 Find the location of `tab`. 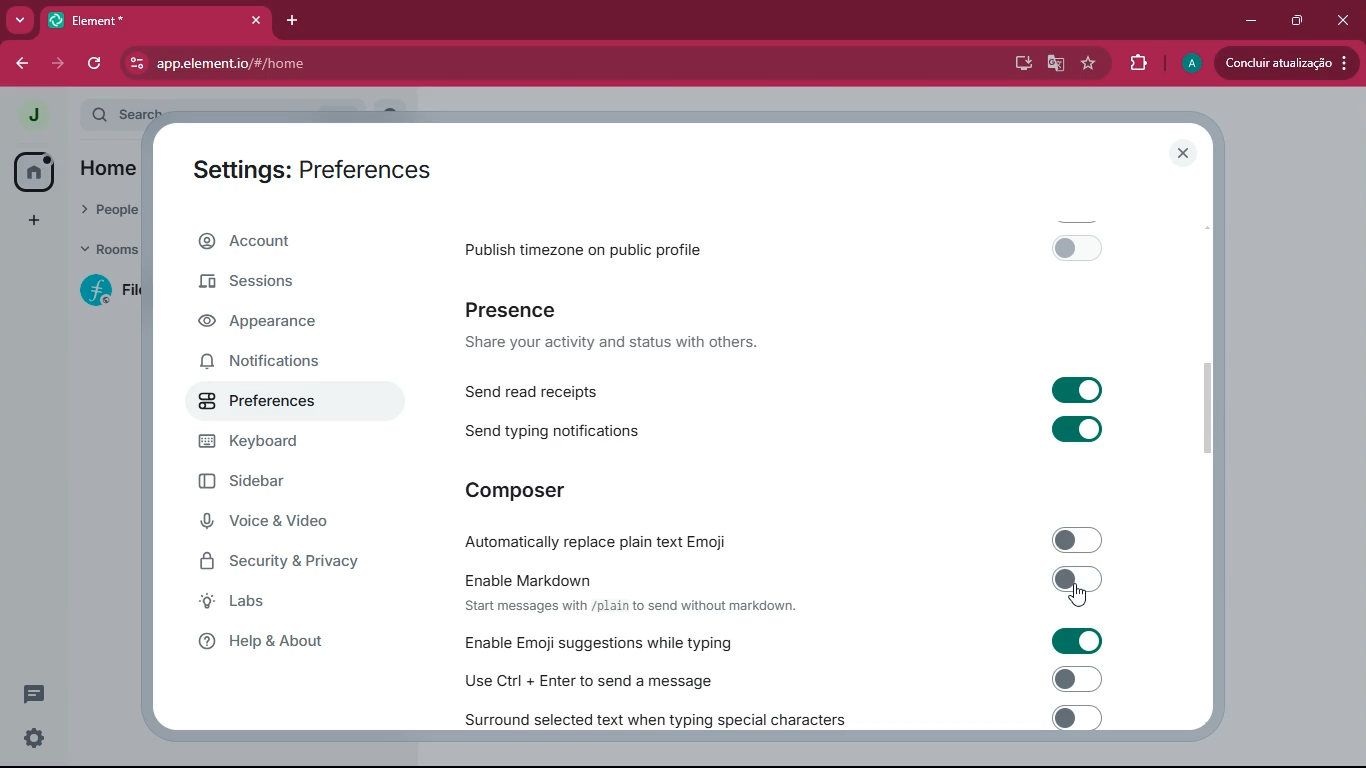

tab is located at coordinates (157, 20).